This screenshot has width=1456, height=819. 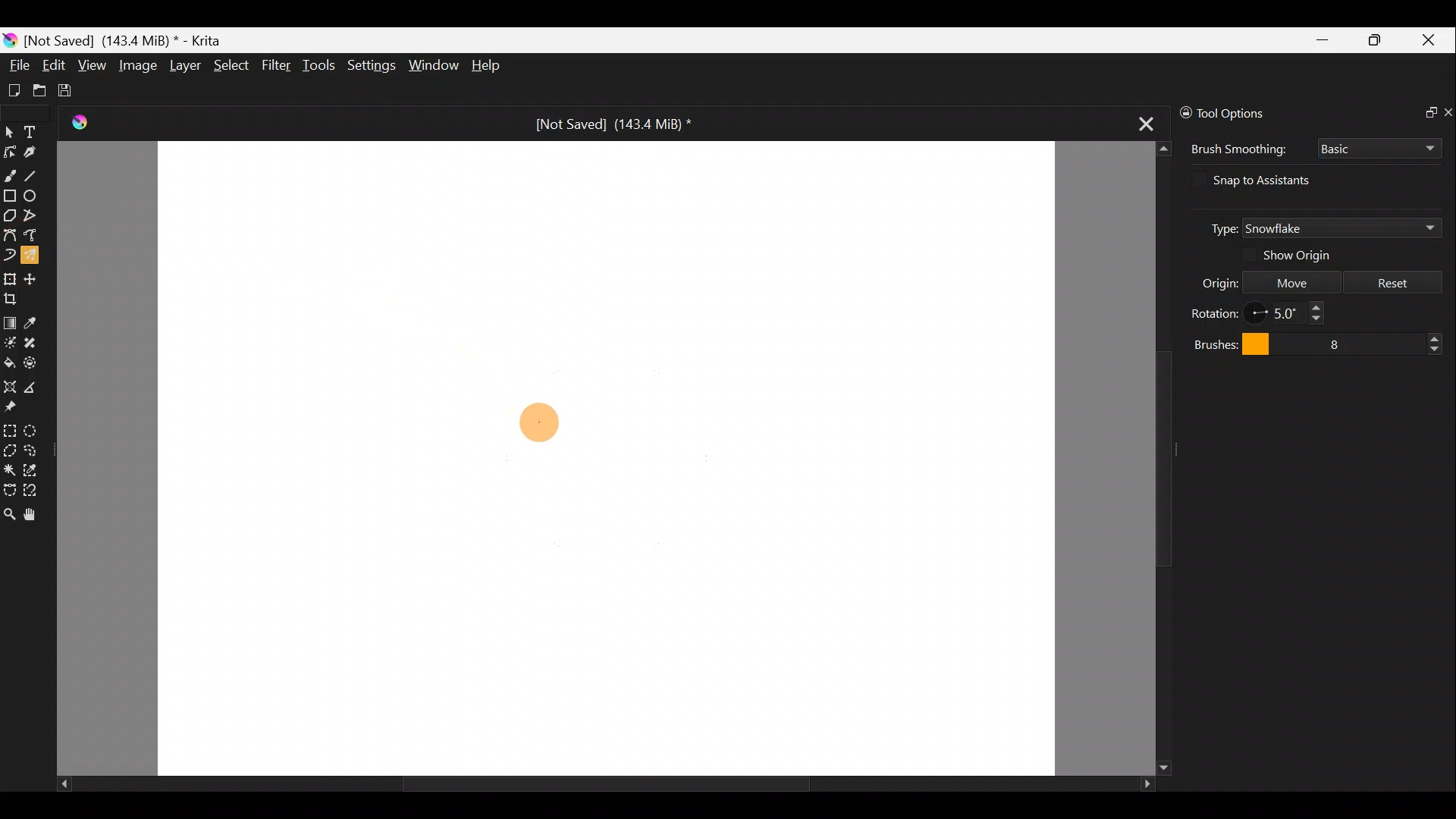 What do you see at coordinates (1215, 311) in the screenshot?
I see `Rotation` at bounding box center [1215, 311].